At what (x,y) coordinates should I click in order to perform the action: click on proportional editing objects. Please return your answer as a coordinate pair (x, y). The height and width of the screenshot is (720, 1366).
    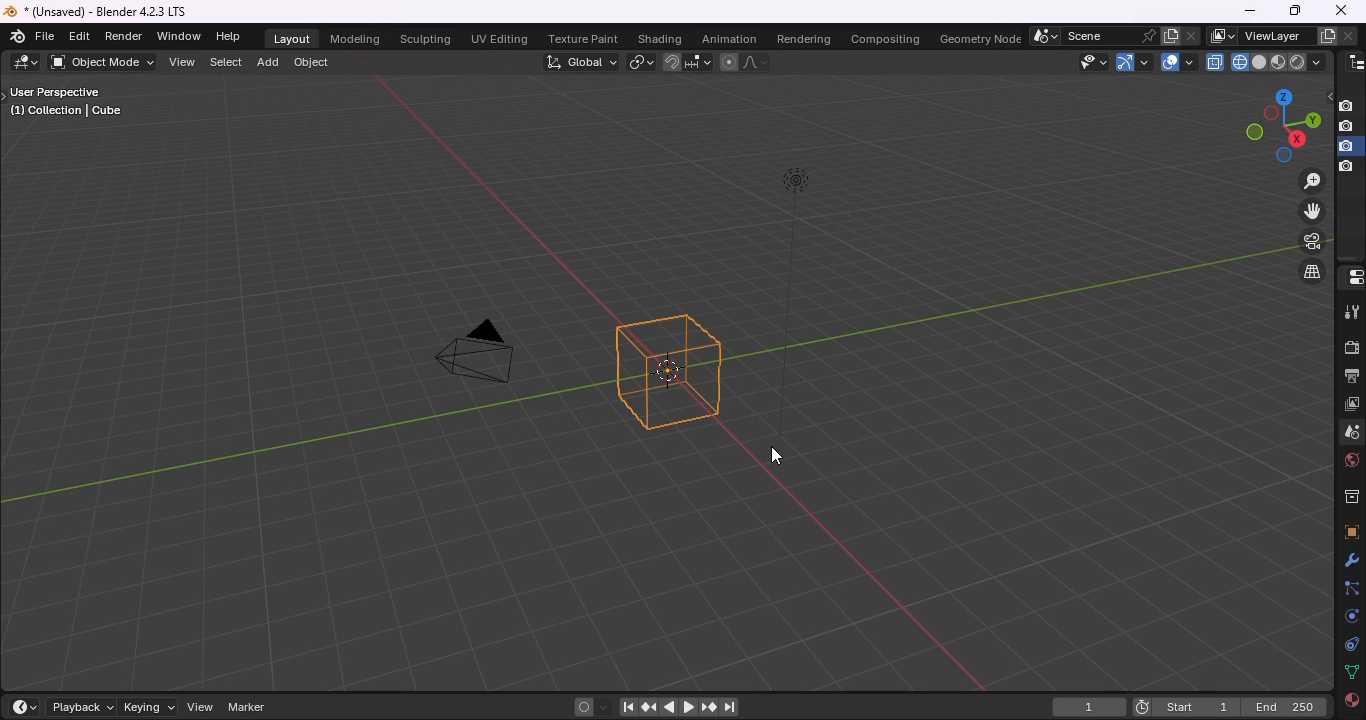
    Looking at the image, I should click on (729, 62).